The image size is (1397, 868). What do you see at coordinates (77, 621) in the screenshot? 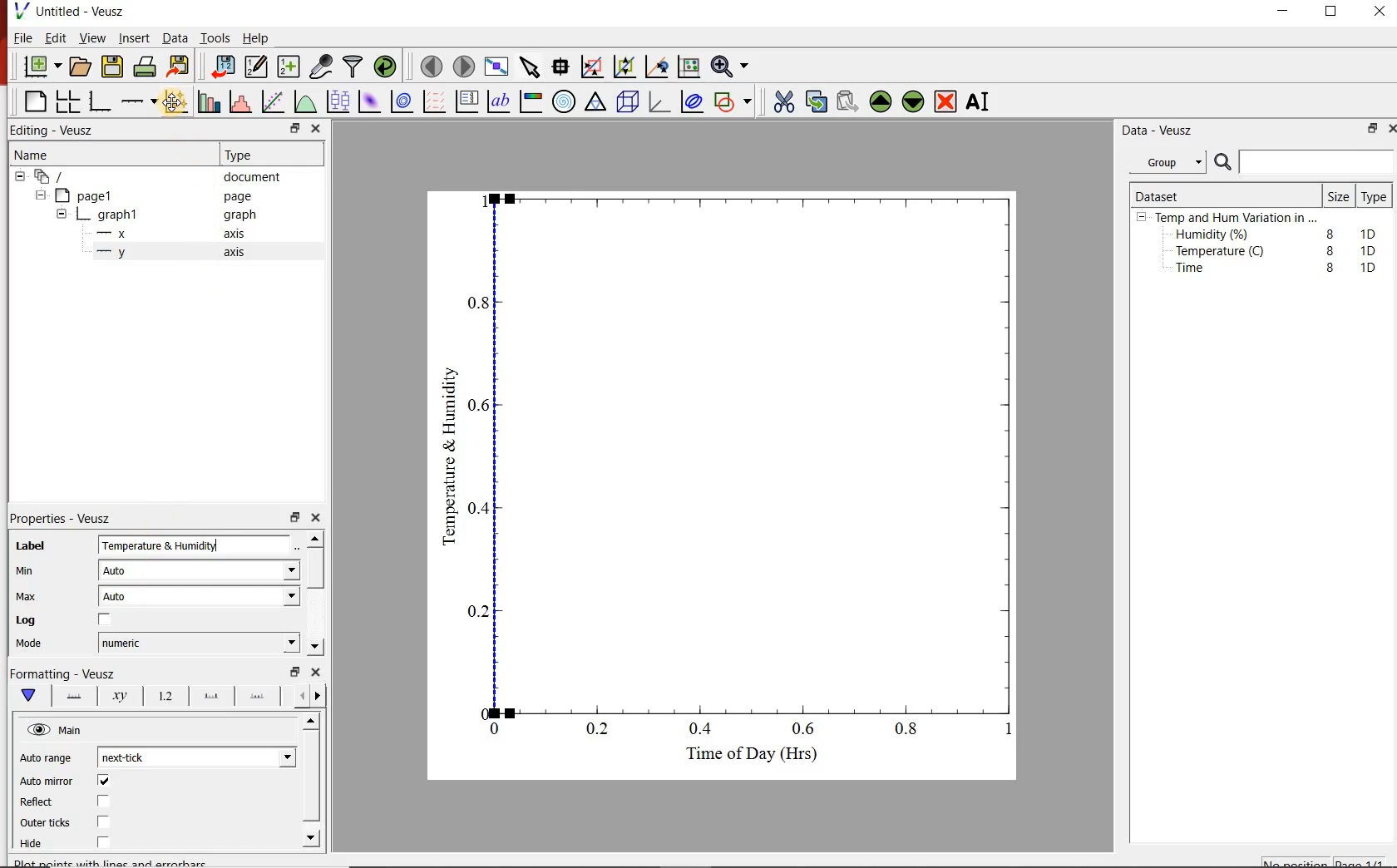
I see `Log` at bounding box center [77, 621].